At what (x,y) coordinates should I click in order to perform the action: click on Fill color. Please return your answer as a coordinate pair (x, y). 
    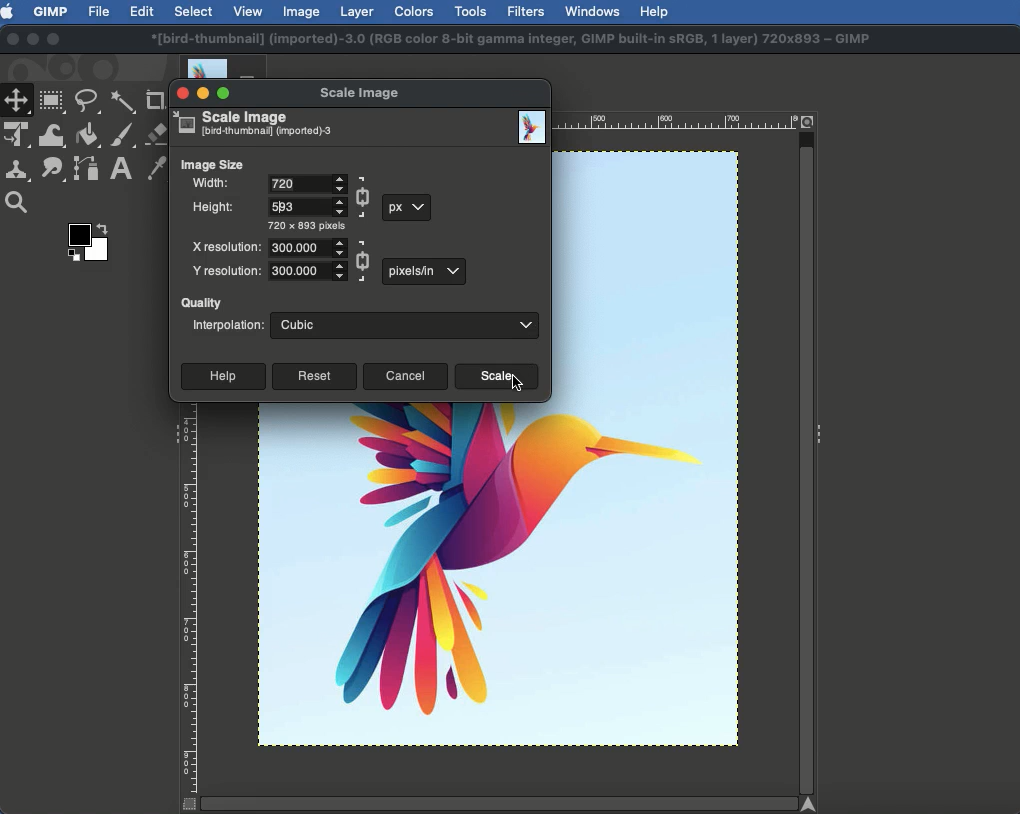
    Looking at the image, I should click on (89, 136).